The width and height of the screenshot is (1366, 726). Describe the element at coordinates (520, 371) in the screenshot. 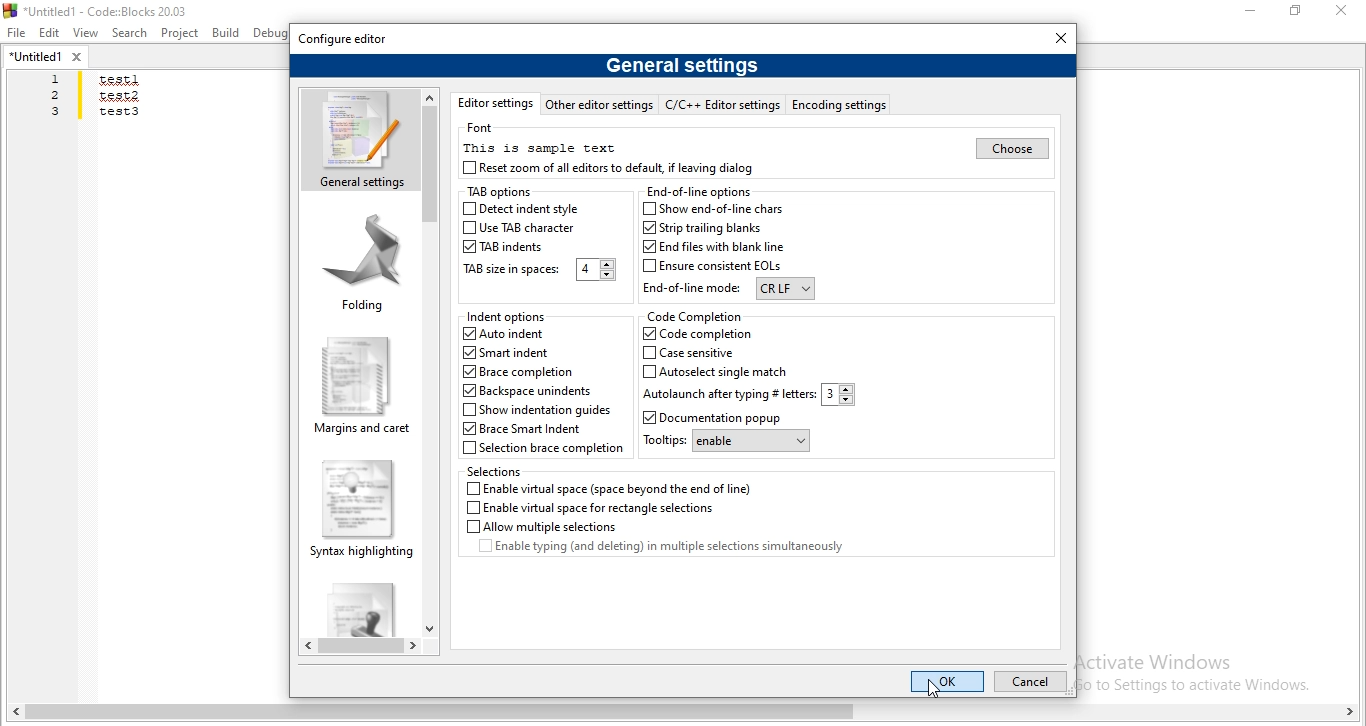

I see `Brace completion` at that location.